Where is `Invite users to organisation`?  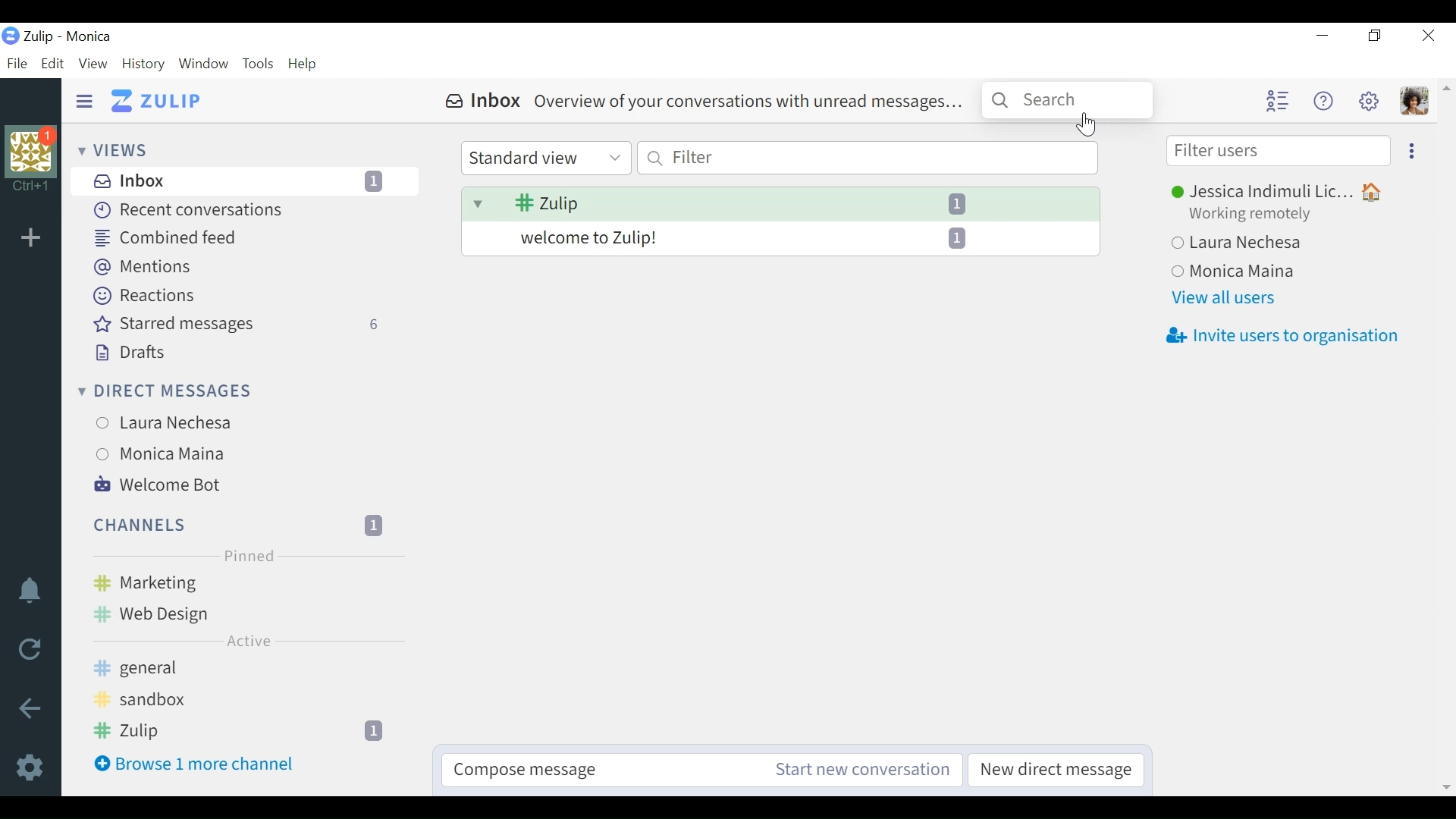 Invite users to organisation is located at coordinates (1278, 334).